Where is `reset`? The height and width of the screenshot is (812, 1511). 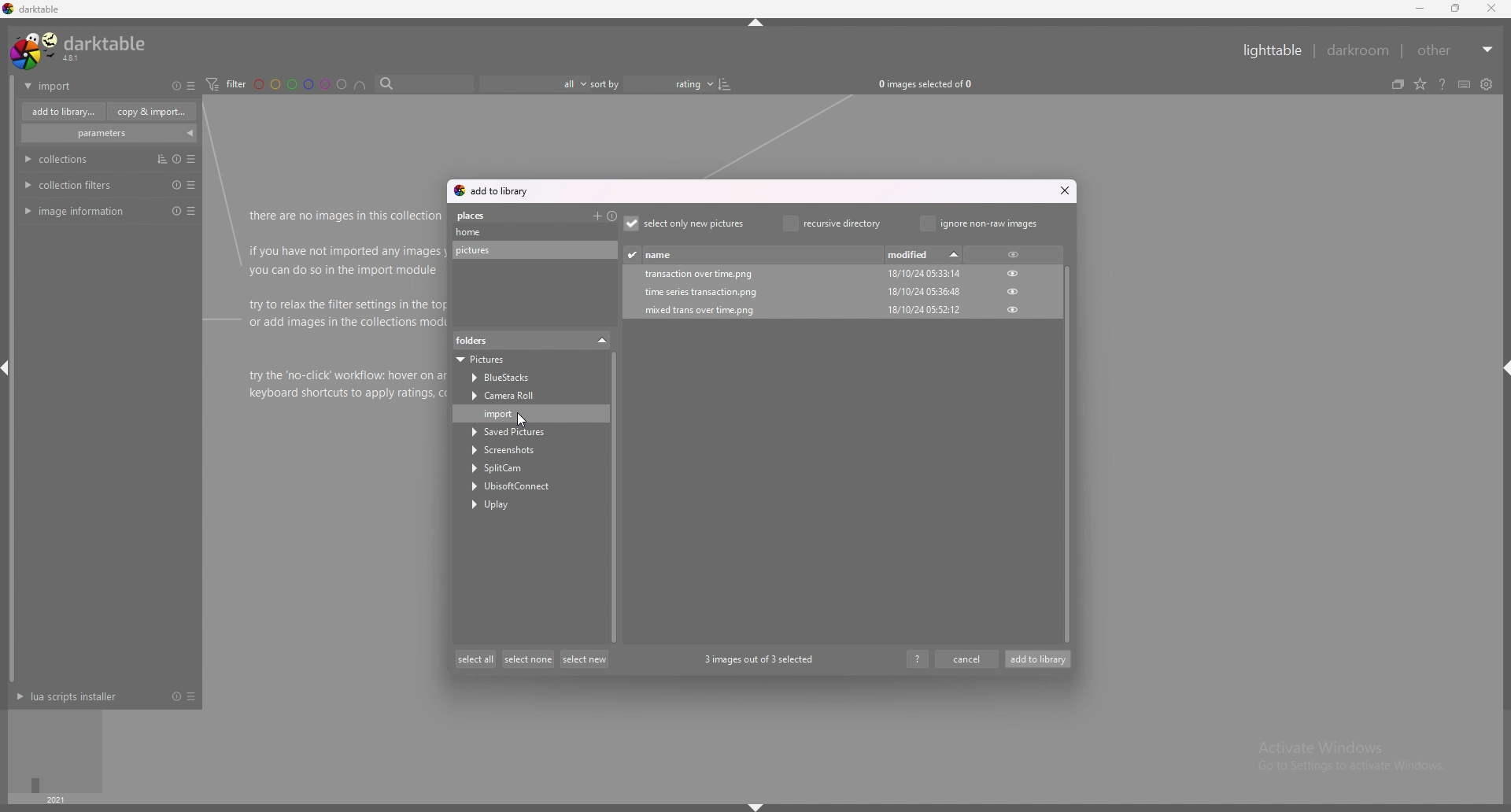 reset is located at coordinates (175, 696).